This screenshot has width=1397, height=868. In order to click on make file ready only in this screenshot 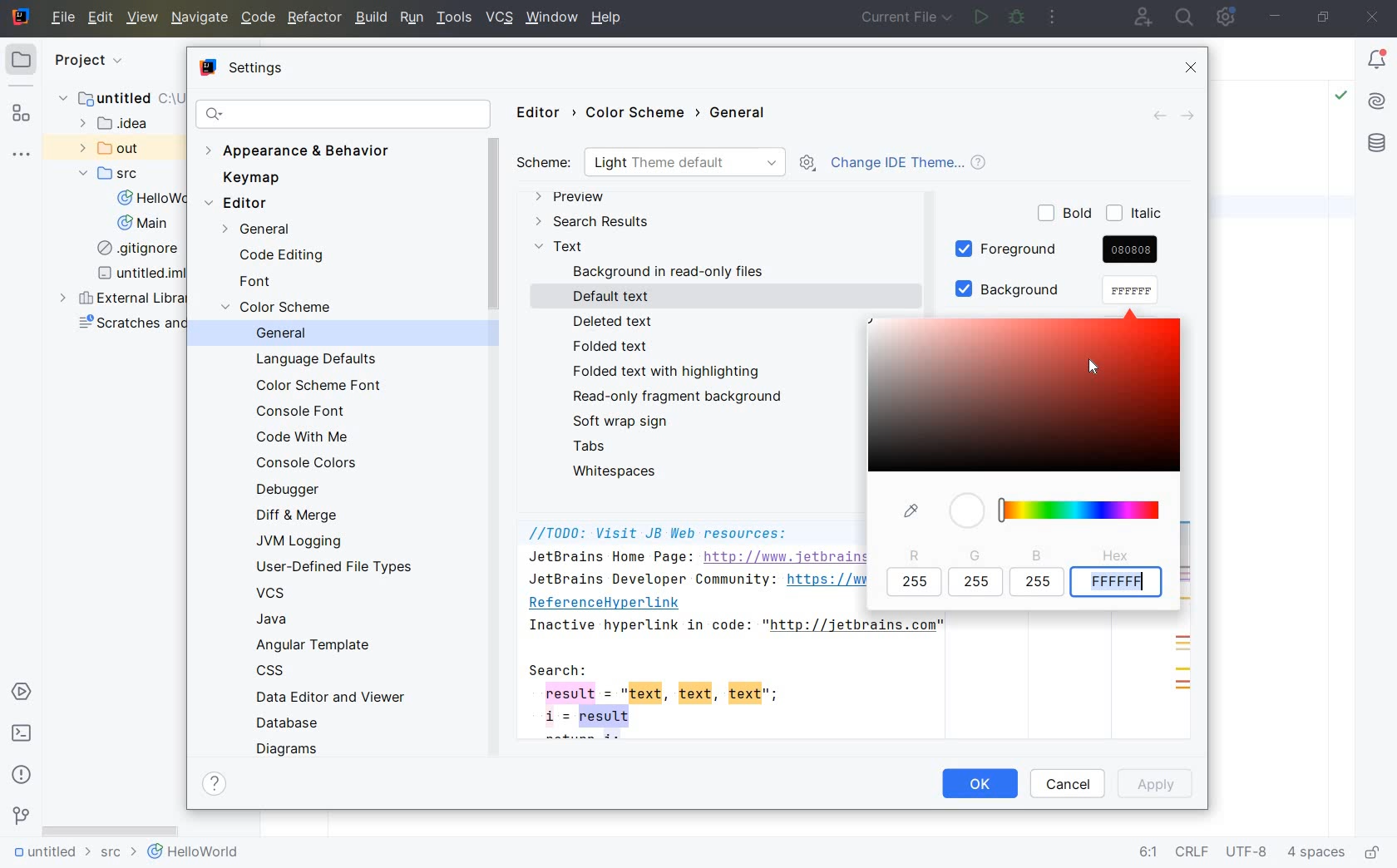, I will do `click(1375, 853)`.